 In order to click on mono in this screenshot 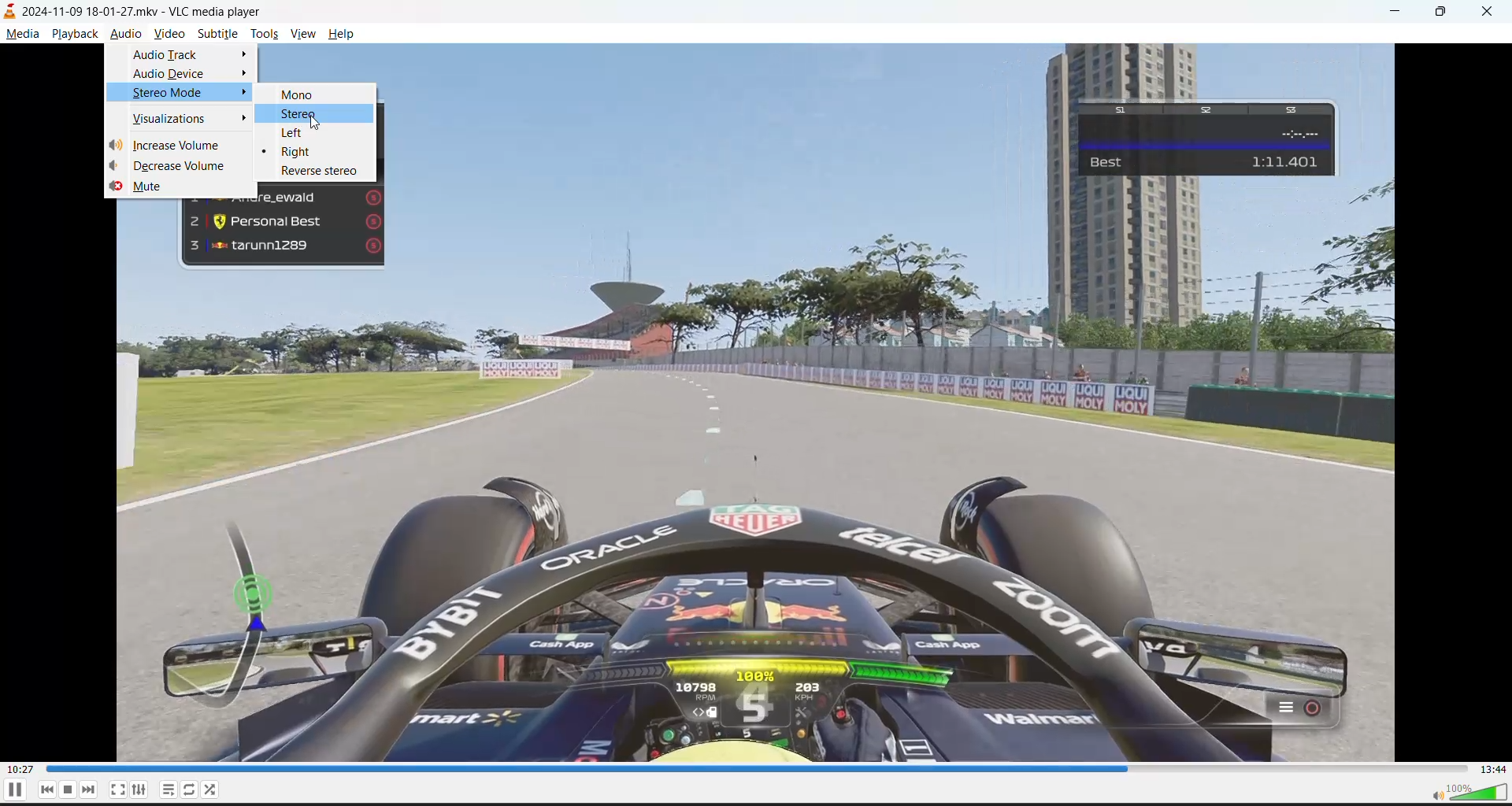, I will do `click(301, 95)`.